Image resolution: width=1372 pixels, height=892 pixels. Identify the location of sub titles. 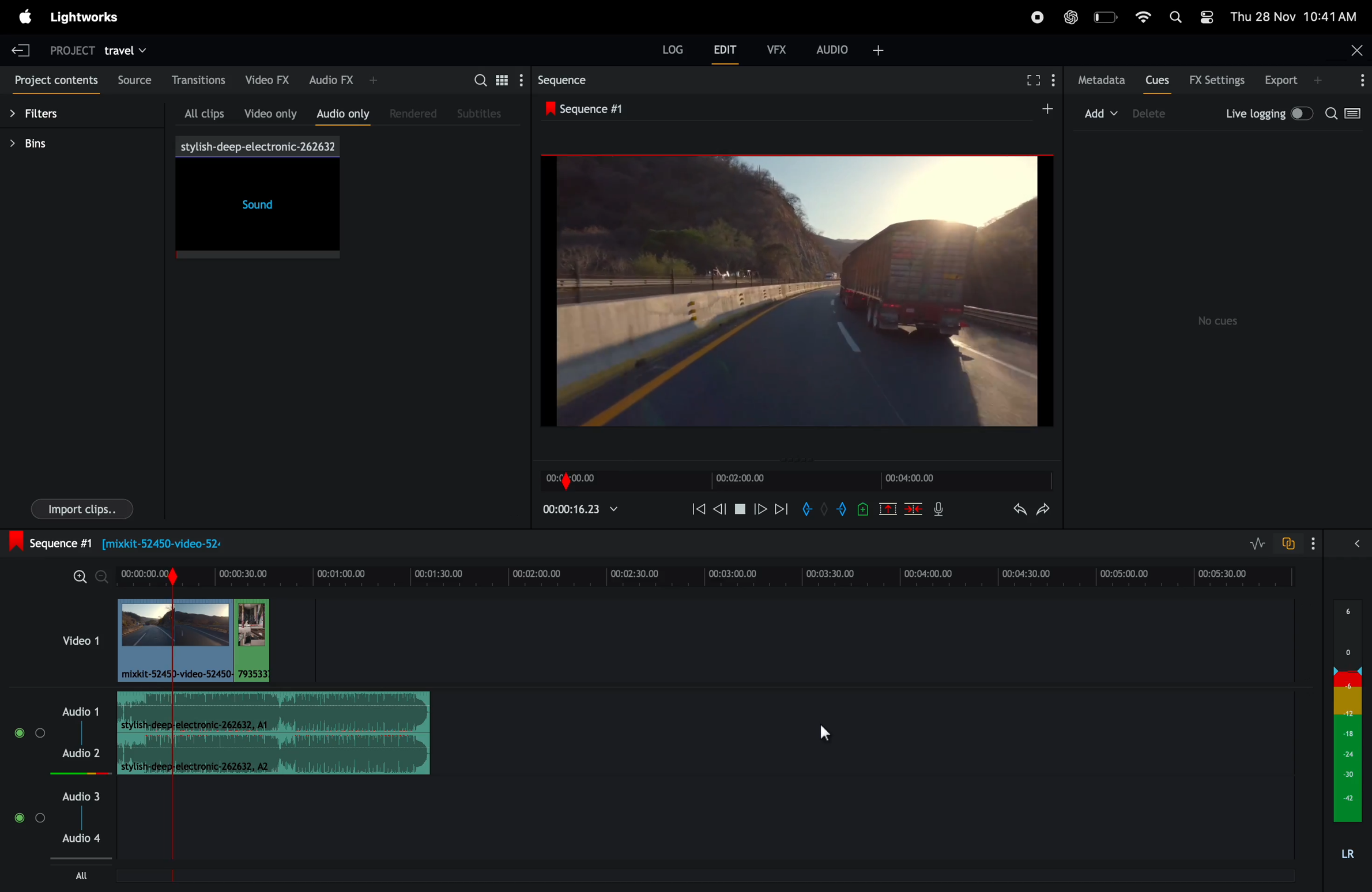
(485, 112).